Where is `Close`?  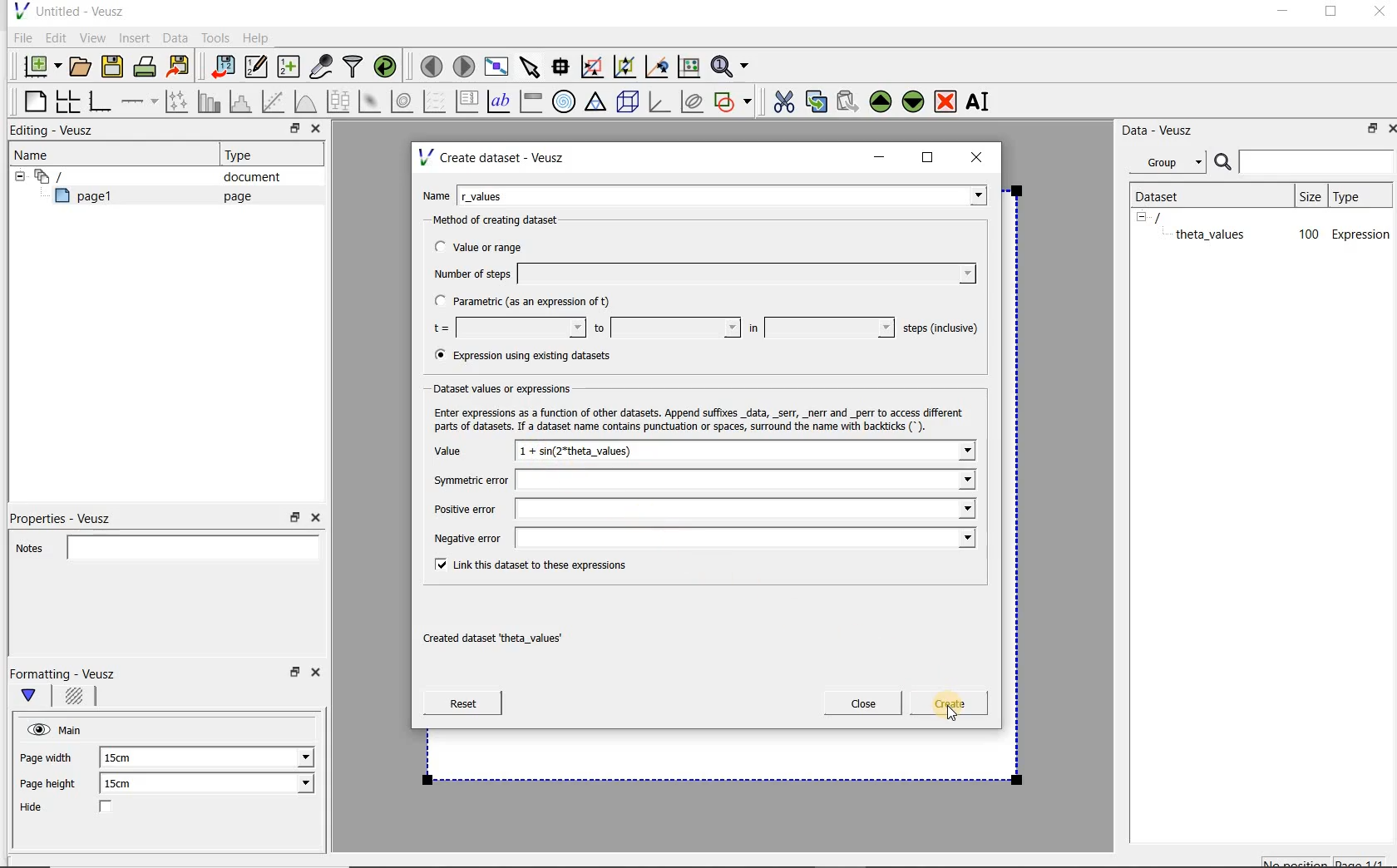
Close is located at coordinates (314, 518).